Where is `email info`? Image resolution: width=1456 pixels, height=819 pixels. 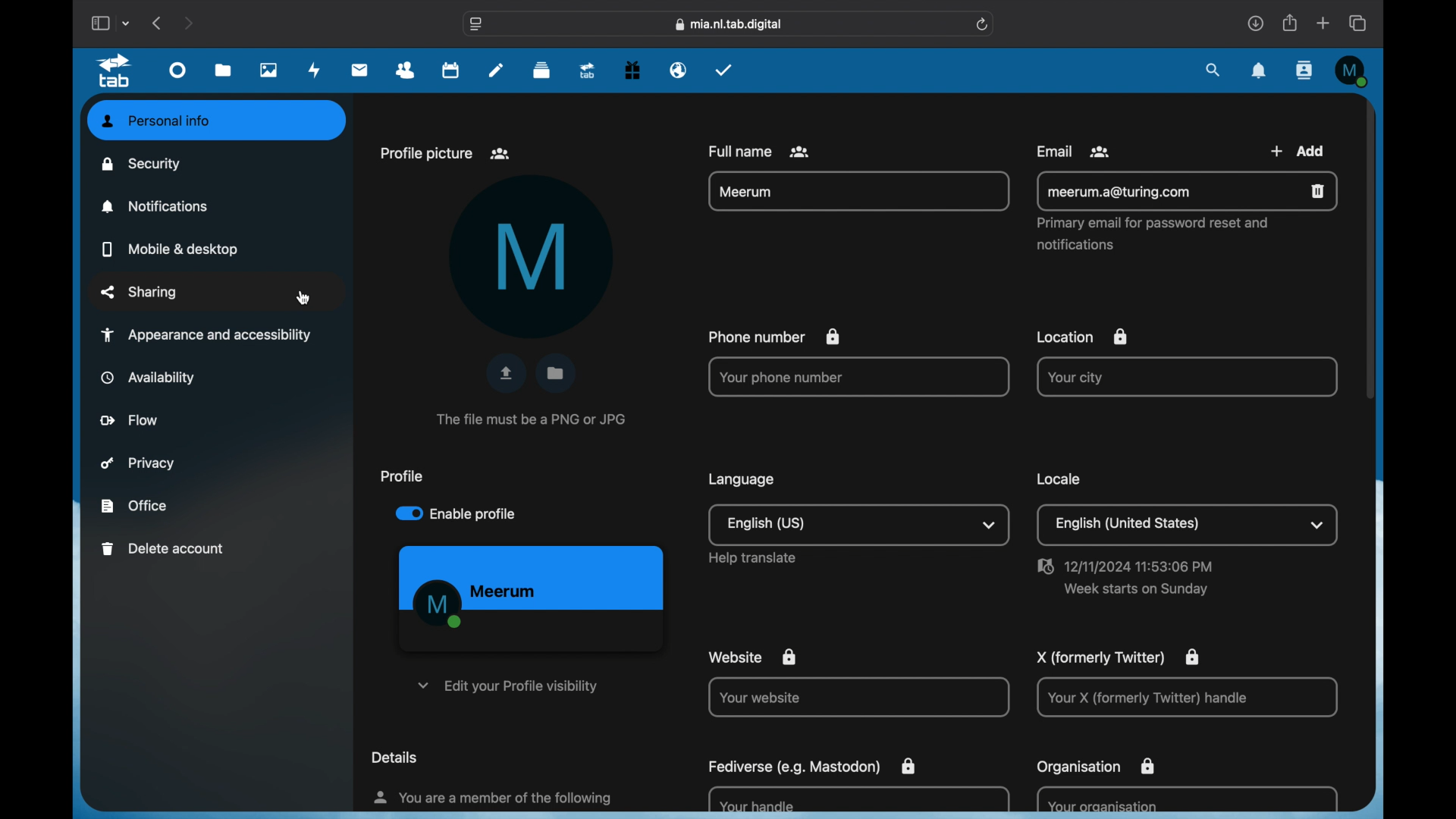
email info is located at coordinates (1185, 234).